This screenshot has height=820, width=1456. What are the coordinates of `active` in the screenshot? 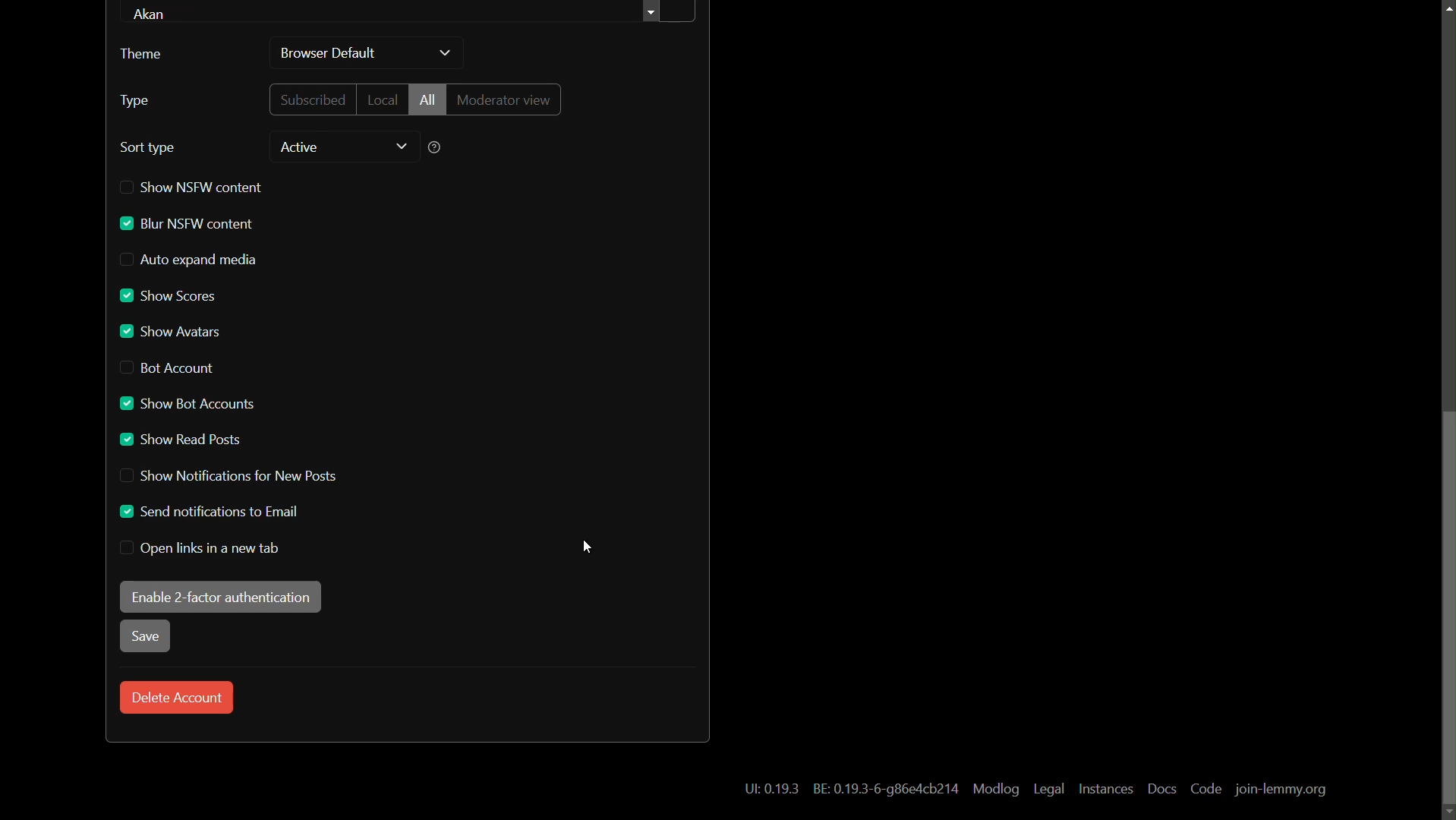 It's located at (300, 148).